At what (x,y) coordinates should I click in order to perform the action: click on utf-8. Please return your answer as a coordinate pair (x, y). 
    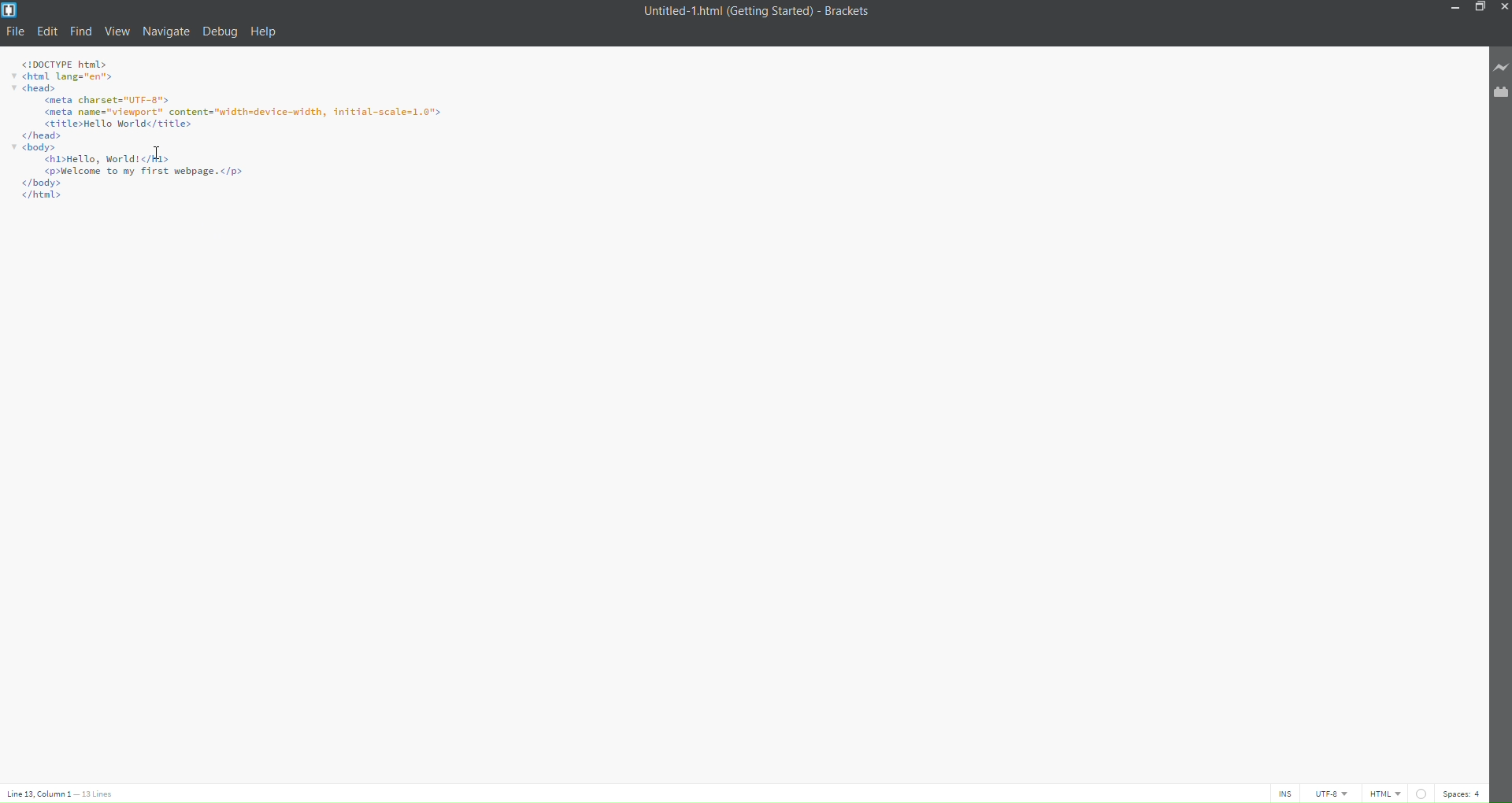
    Looking at the image, I should click on (1331, 794).